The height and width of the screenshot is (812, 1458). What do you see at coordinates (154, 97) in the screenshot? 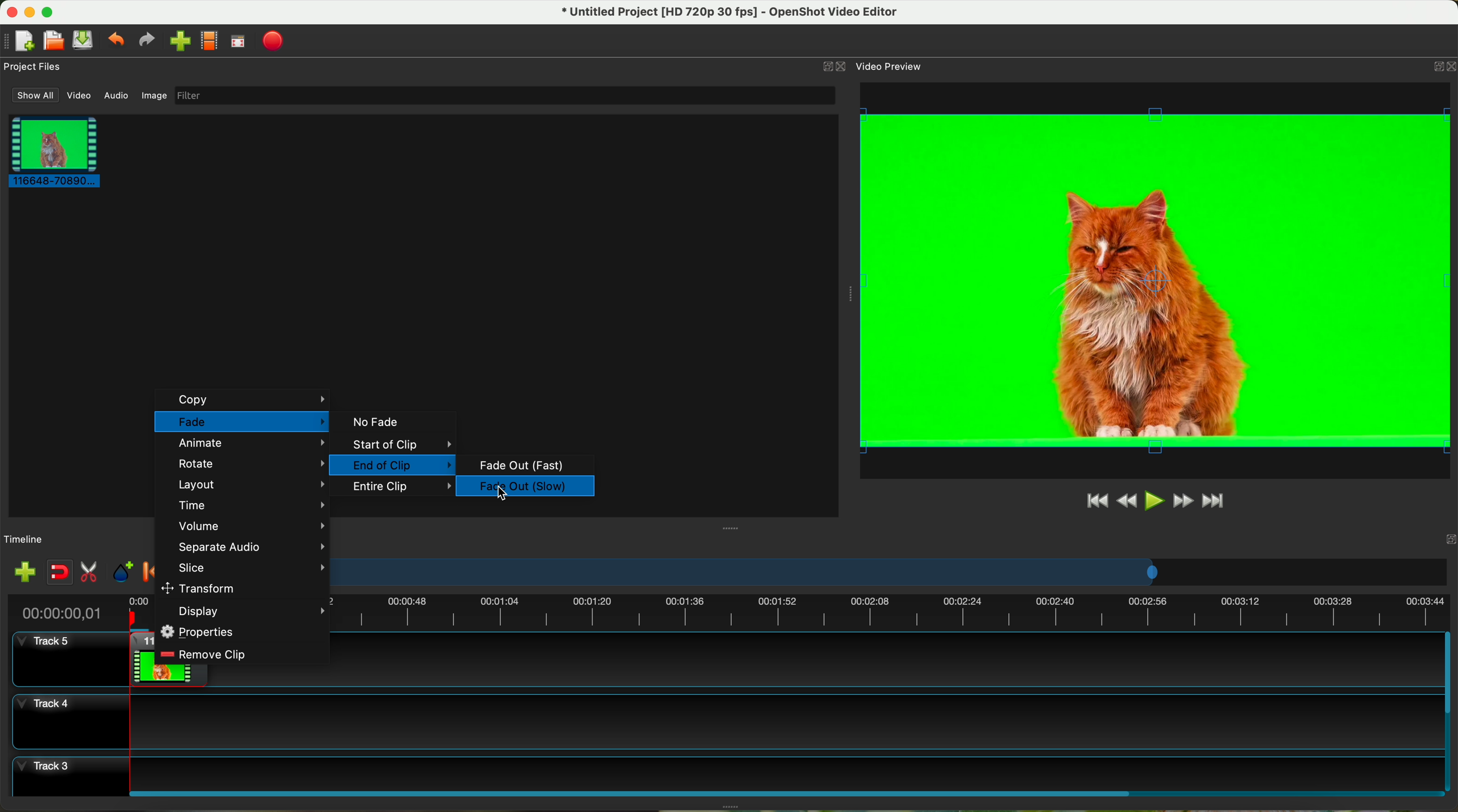
I see `image` at bounding box center [154, 97].